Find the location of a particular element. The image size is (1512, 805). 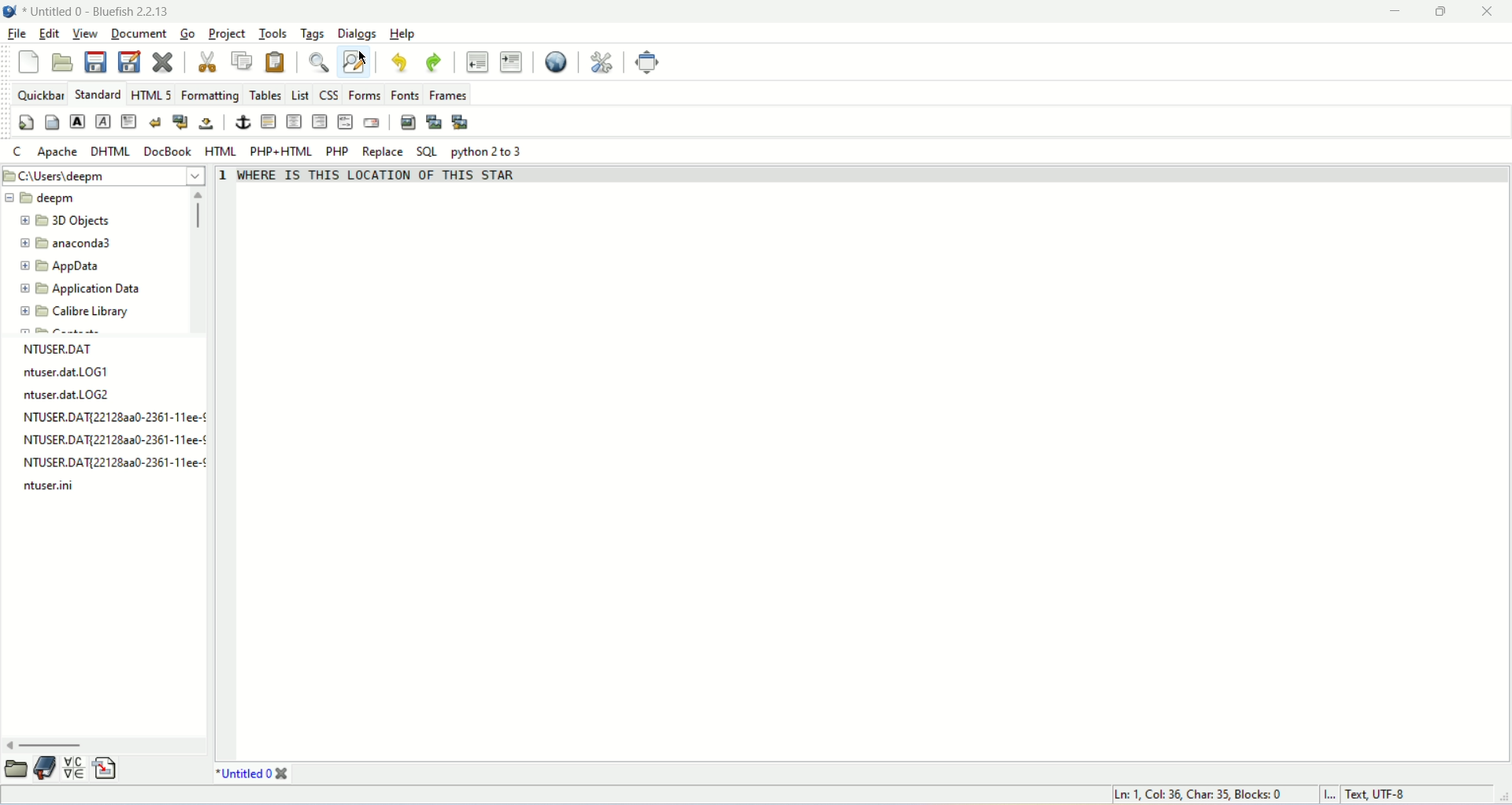

close is located at coordinates (162, 61).